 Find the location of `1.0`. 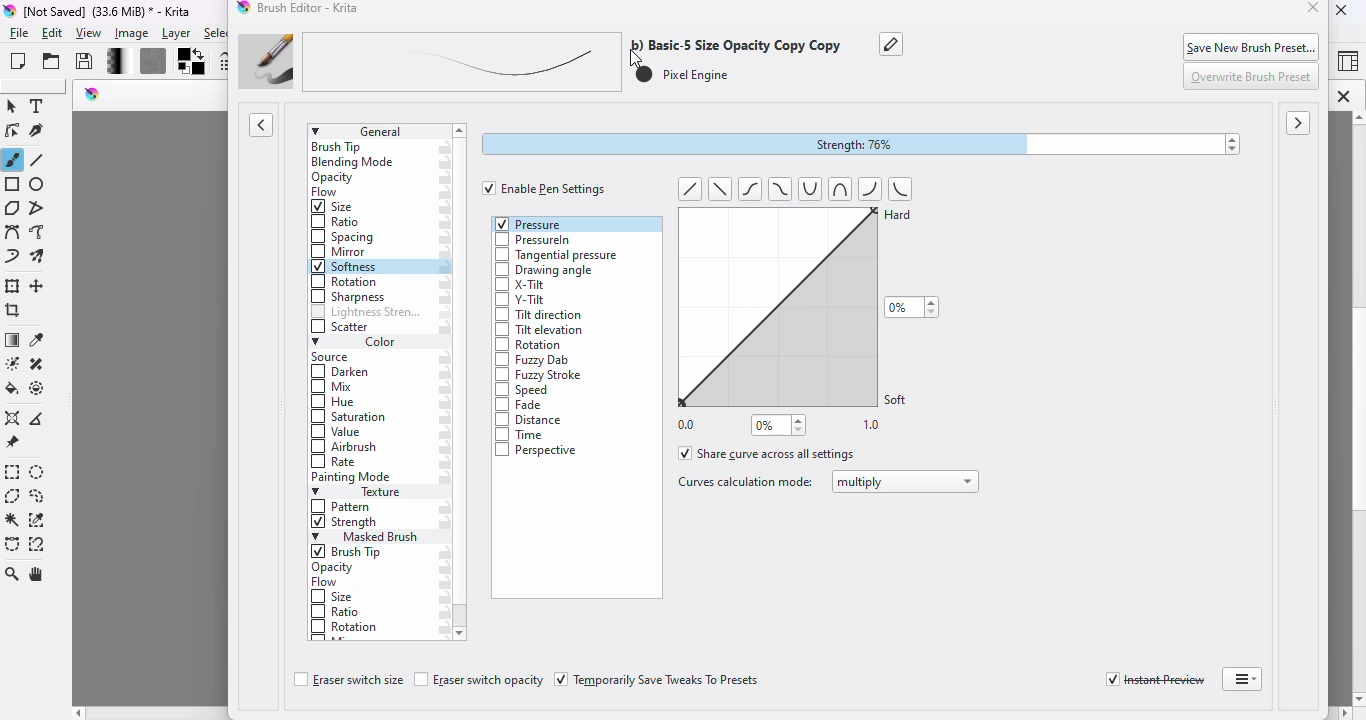

1.0 is located at coordinates (873, 426).